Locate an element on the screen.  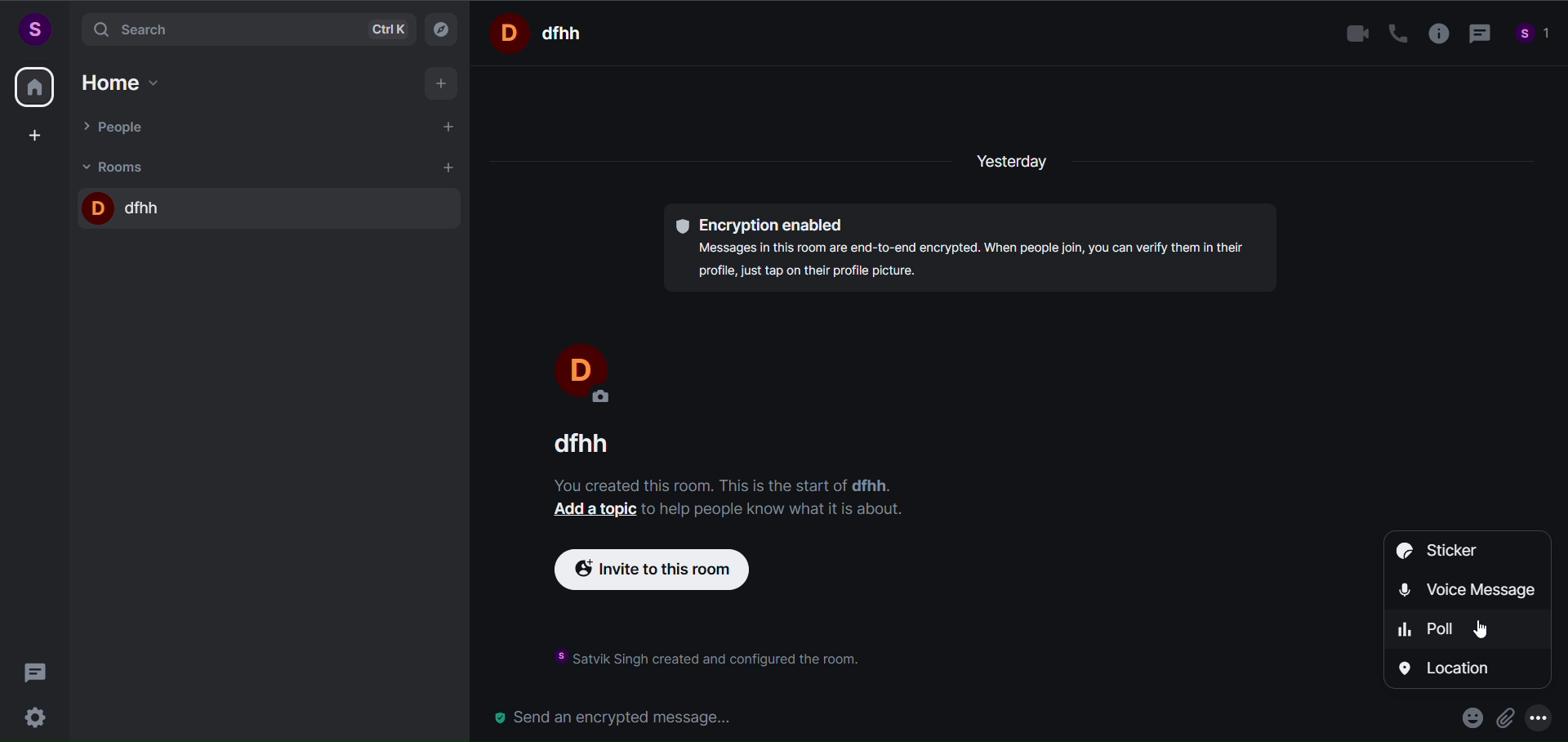
poll is located at coordinates (1447, 630).